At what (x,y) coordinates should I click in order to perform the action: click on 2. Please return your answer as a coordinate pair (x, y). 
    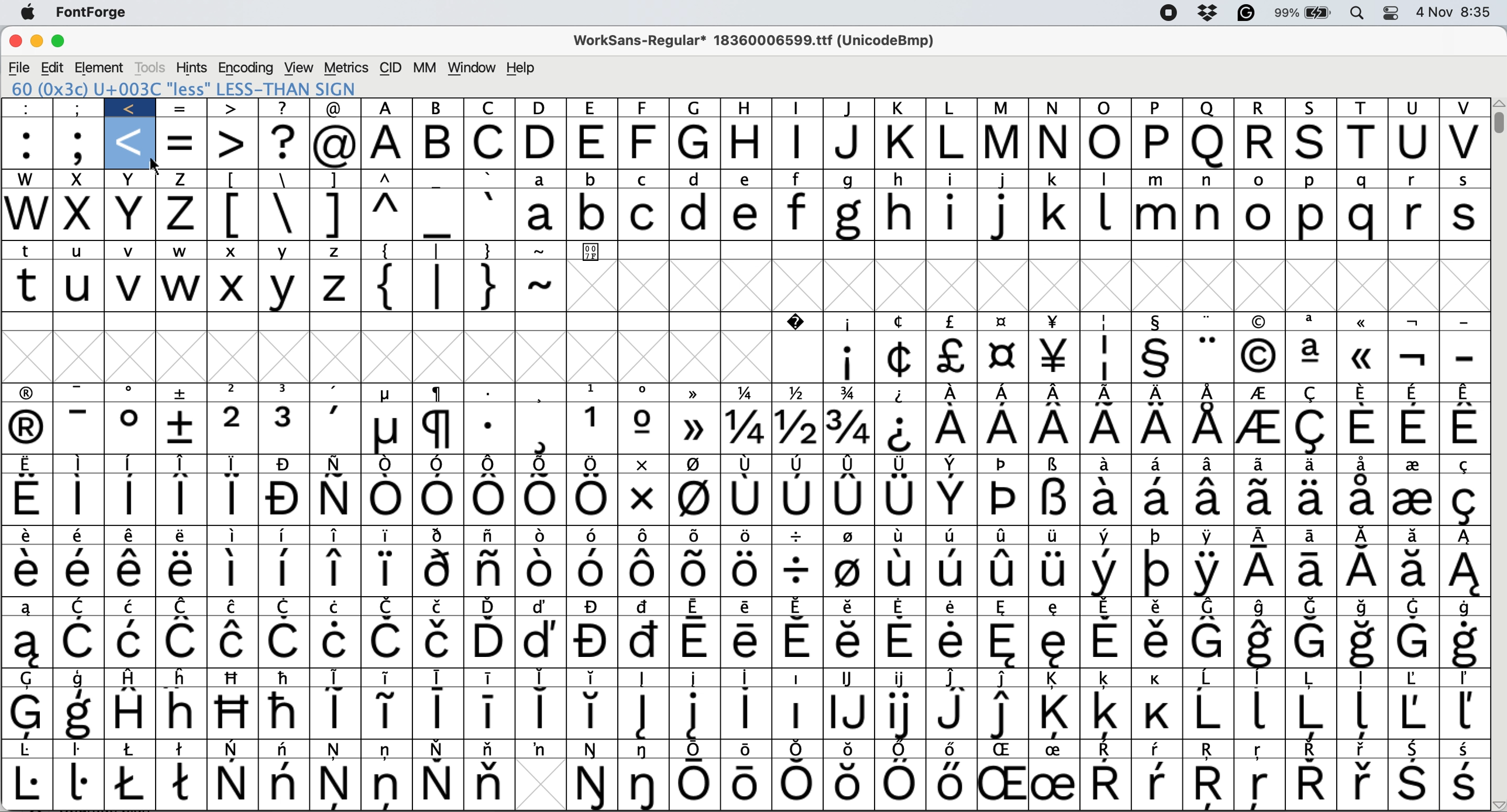
    Looking at the image, I should click on (234, 428).